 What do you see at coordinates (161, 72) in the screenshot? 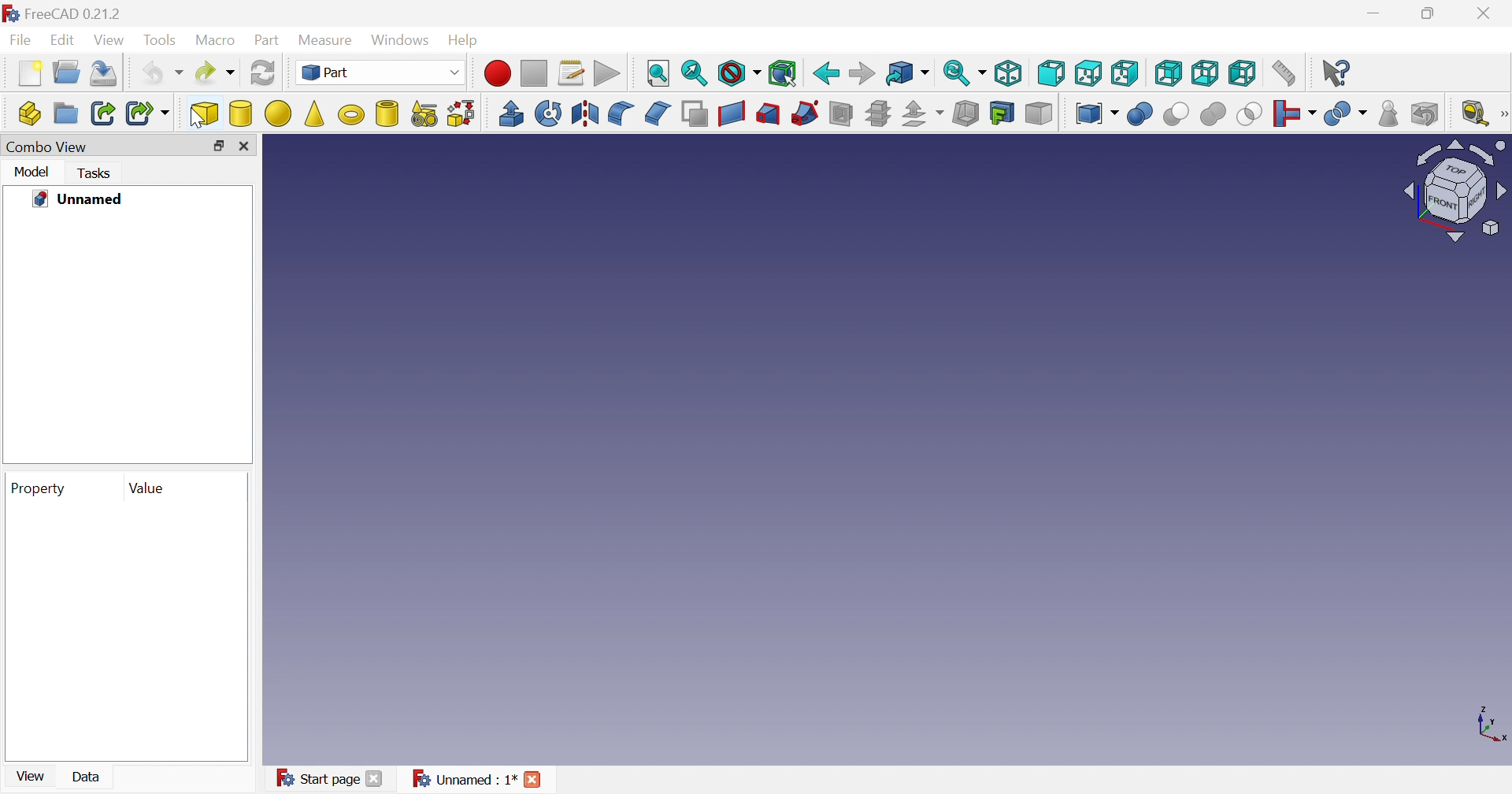
I see `Undo` at bounding box center [161, 72].